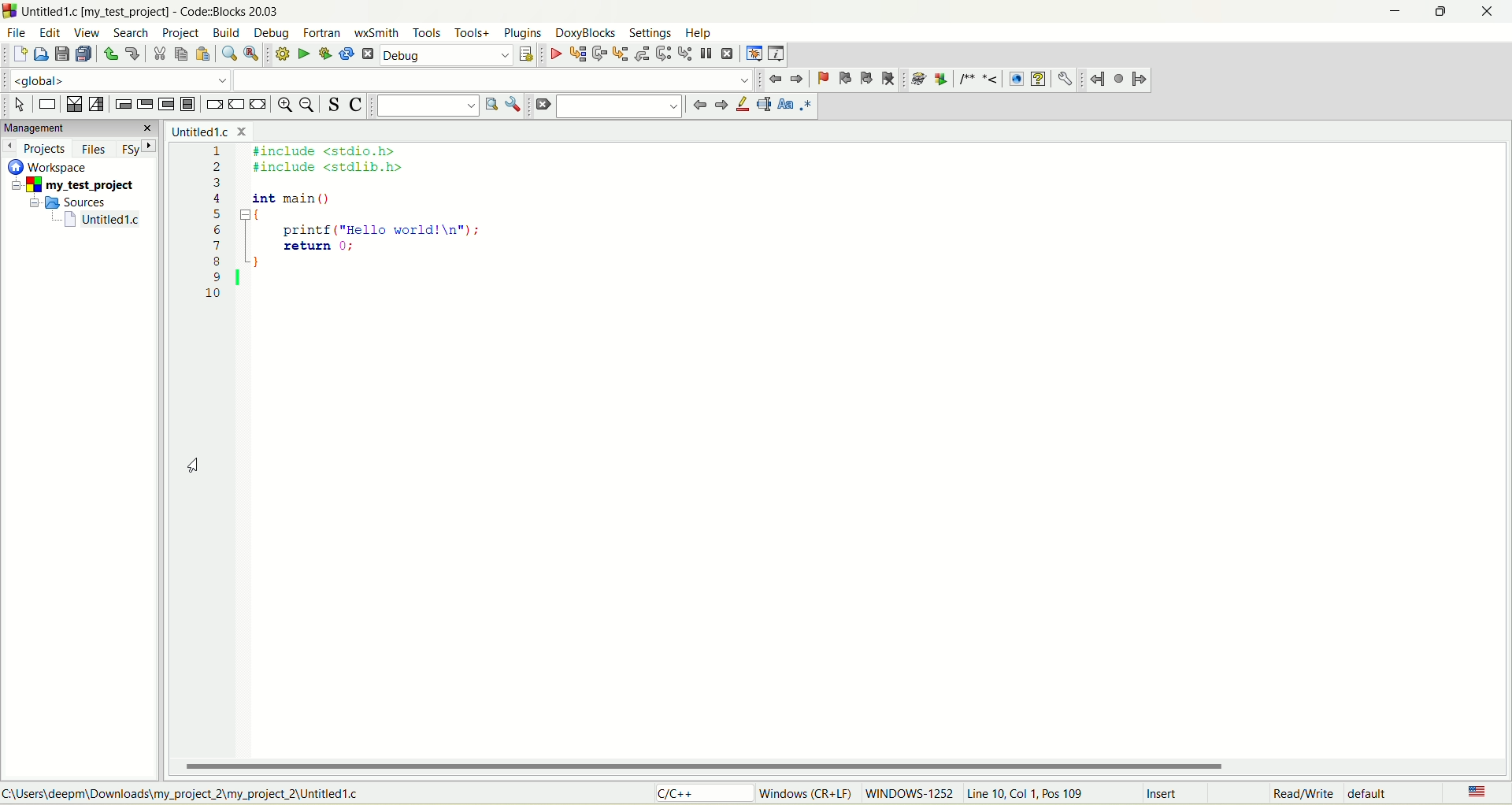 This screenshot has width=1512, height=805. Describe the element at coordinates (523, 33) in the screenshot. I see `plugins` at that location.